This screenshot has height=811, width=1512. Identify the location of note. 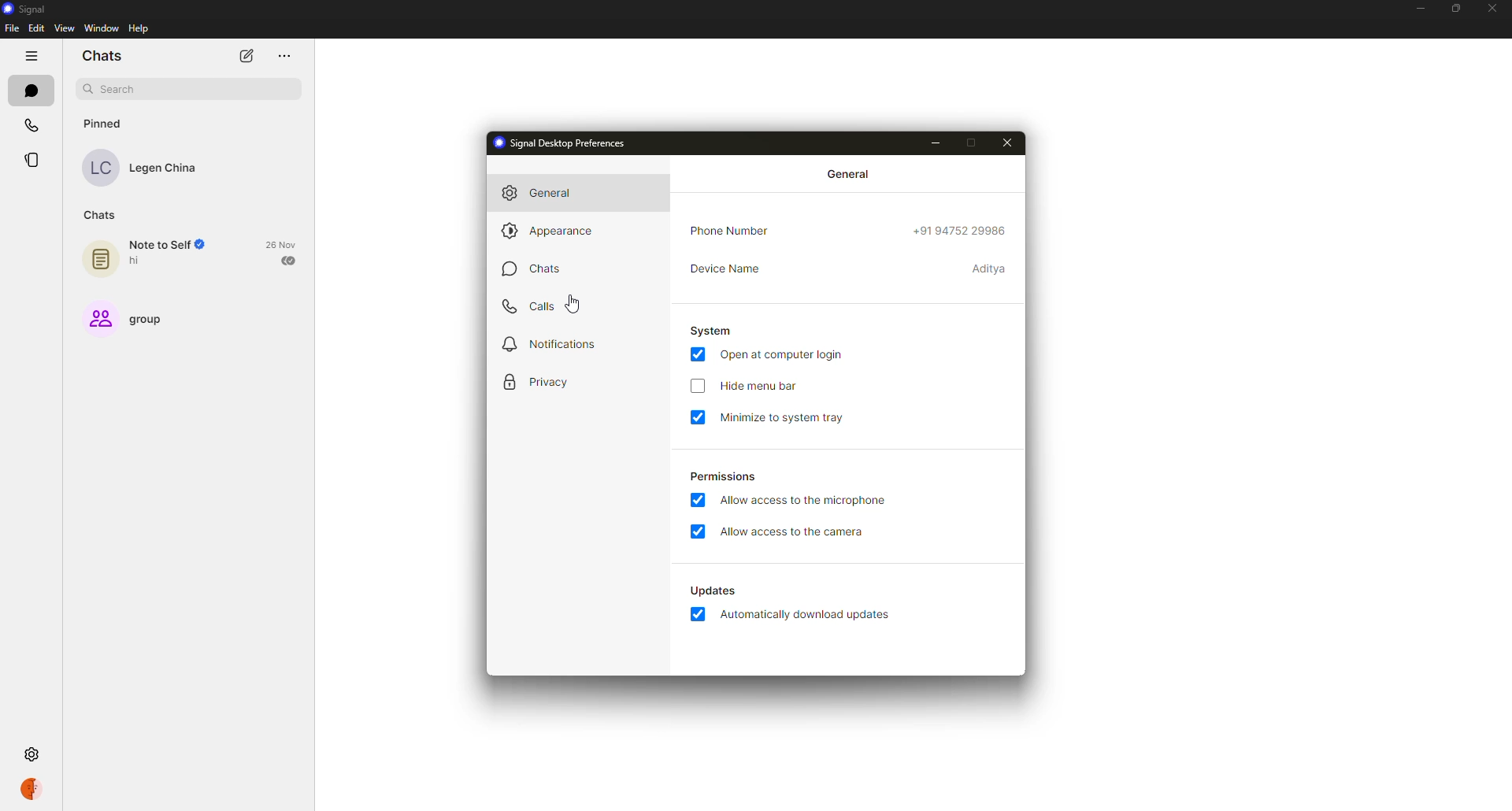
(102, 256).